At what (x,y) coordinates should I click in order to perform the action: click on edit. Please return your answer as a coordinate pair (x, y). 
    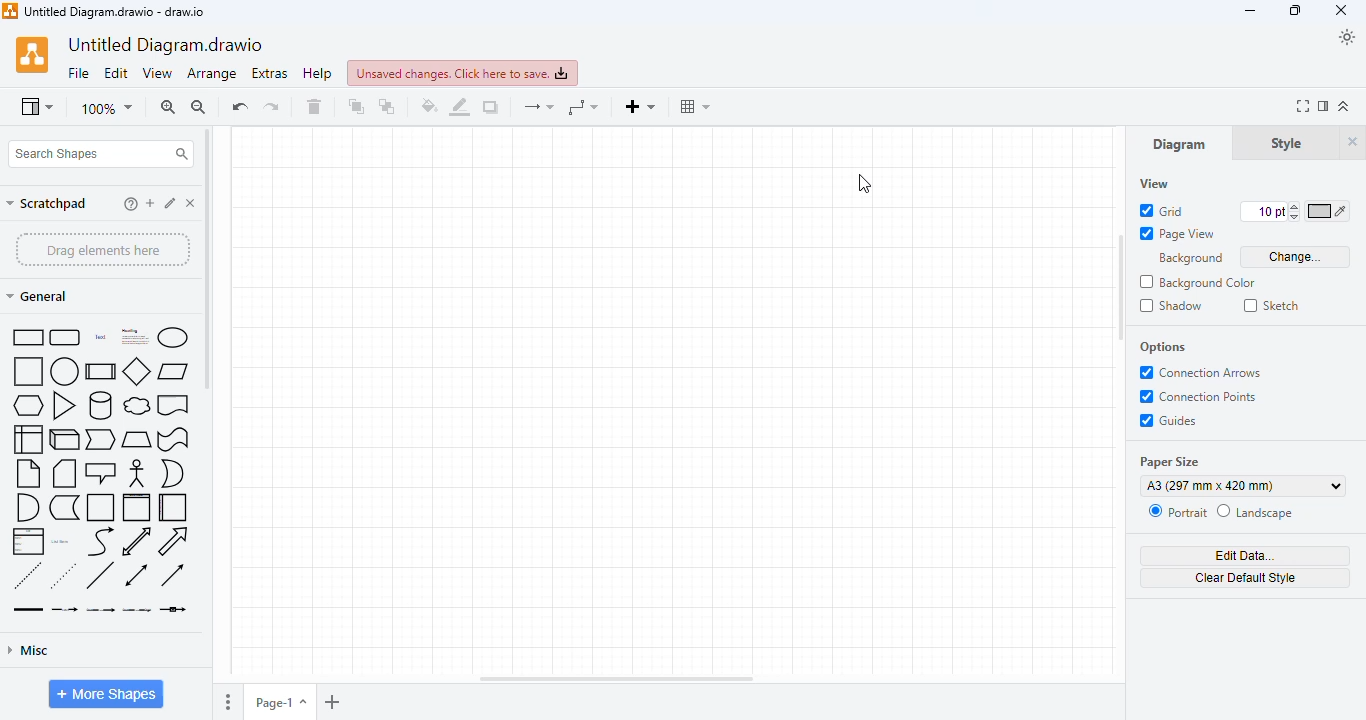
    Looking at the image, I should click on (171, 203).